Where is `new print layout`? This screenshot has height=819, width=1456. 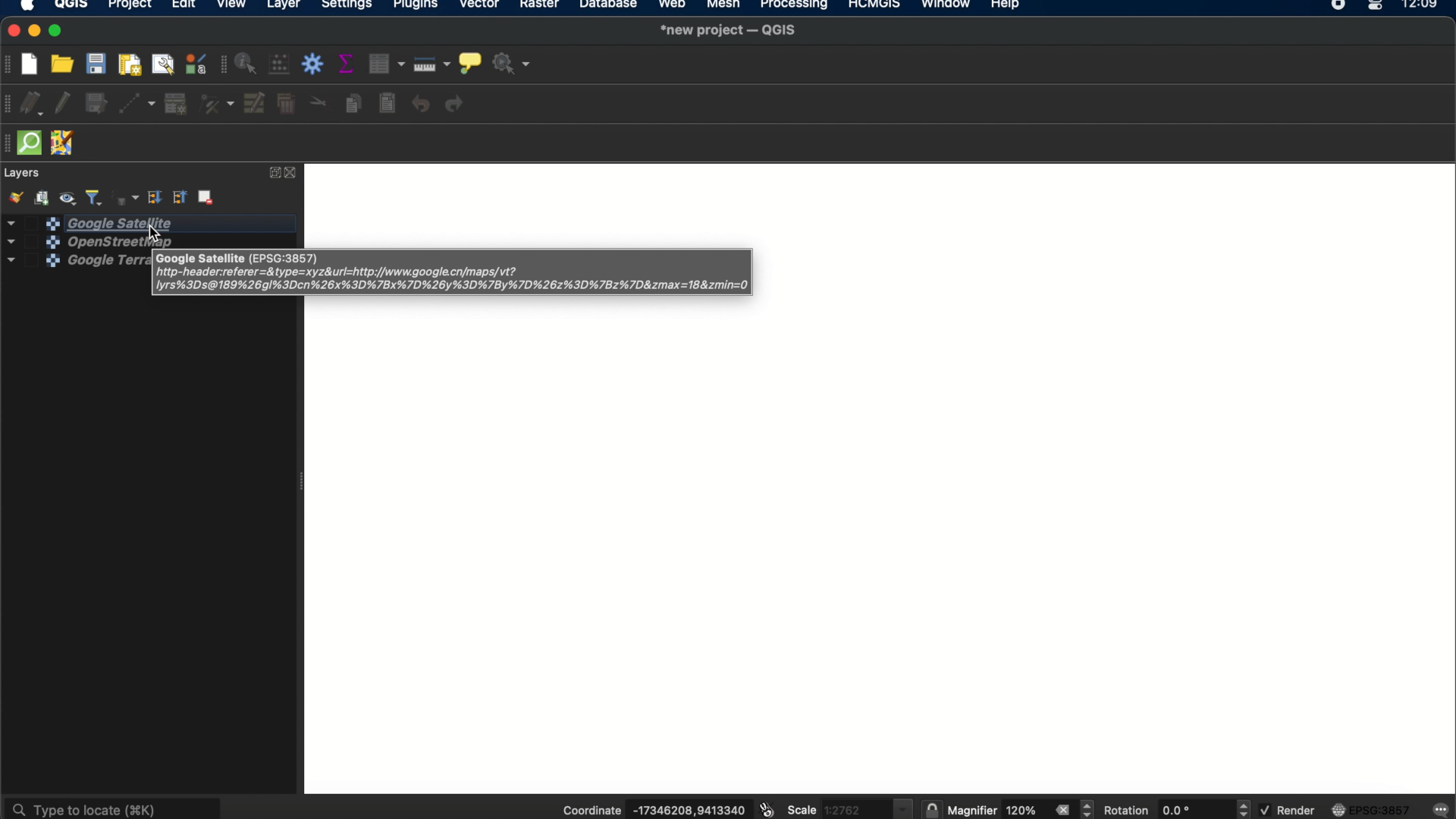 new print layout is located at coordinates (131, 64).